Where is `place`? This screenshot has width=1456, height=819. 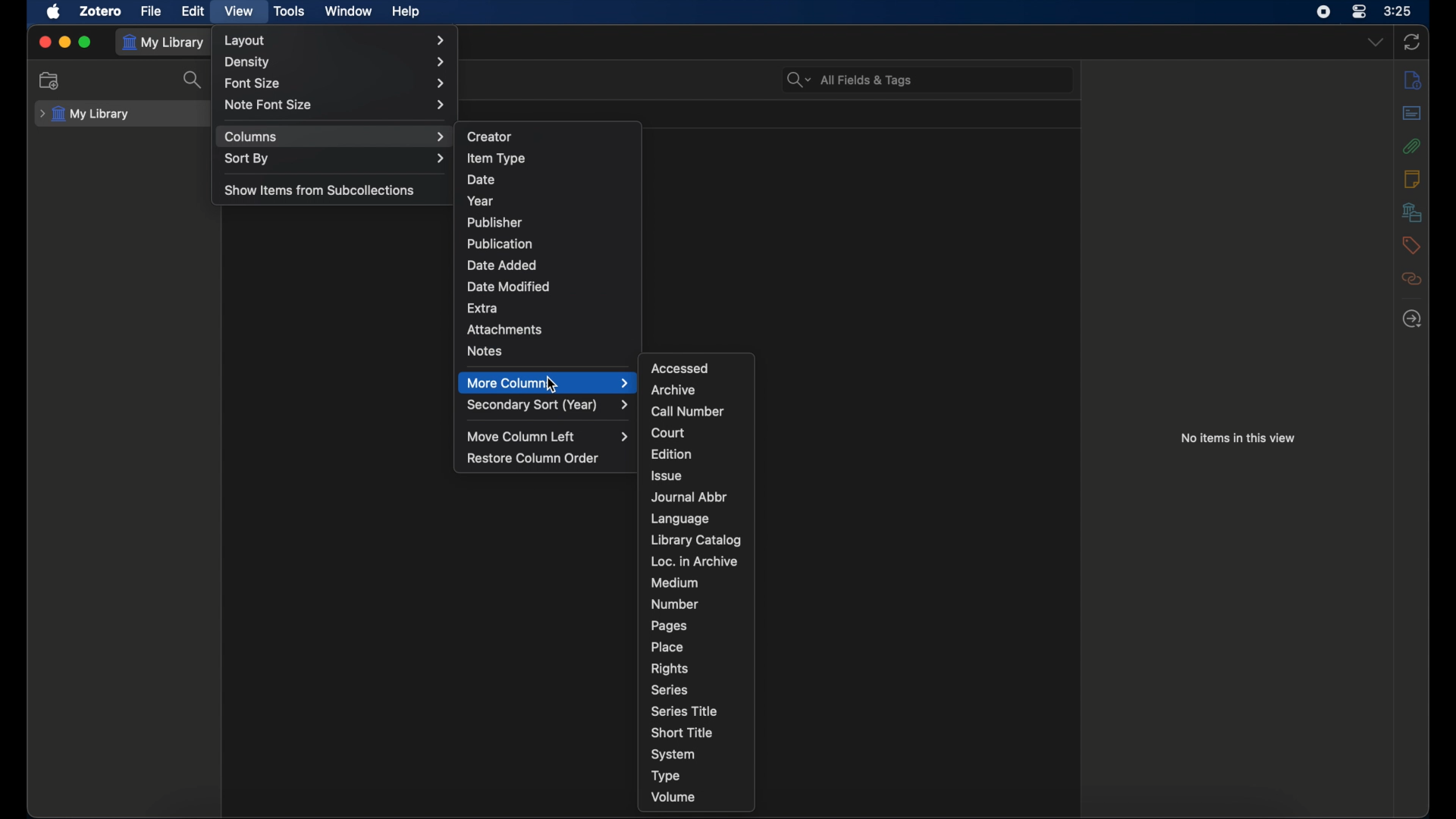 place is located at coordinates (668, 647).